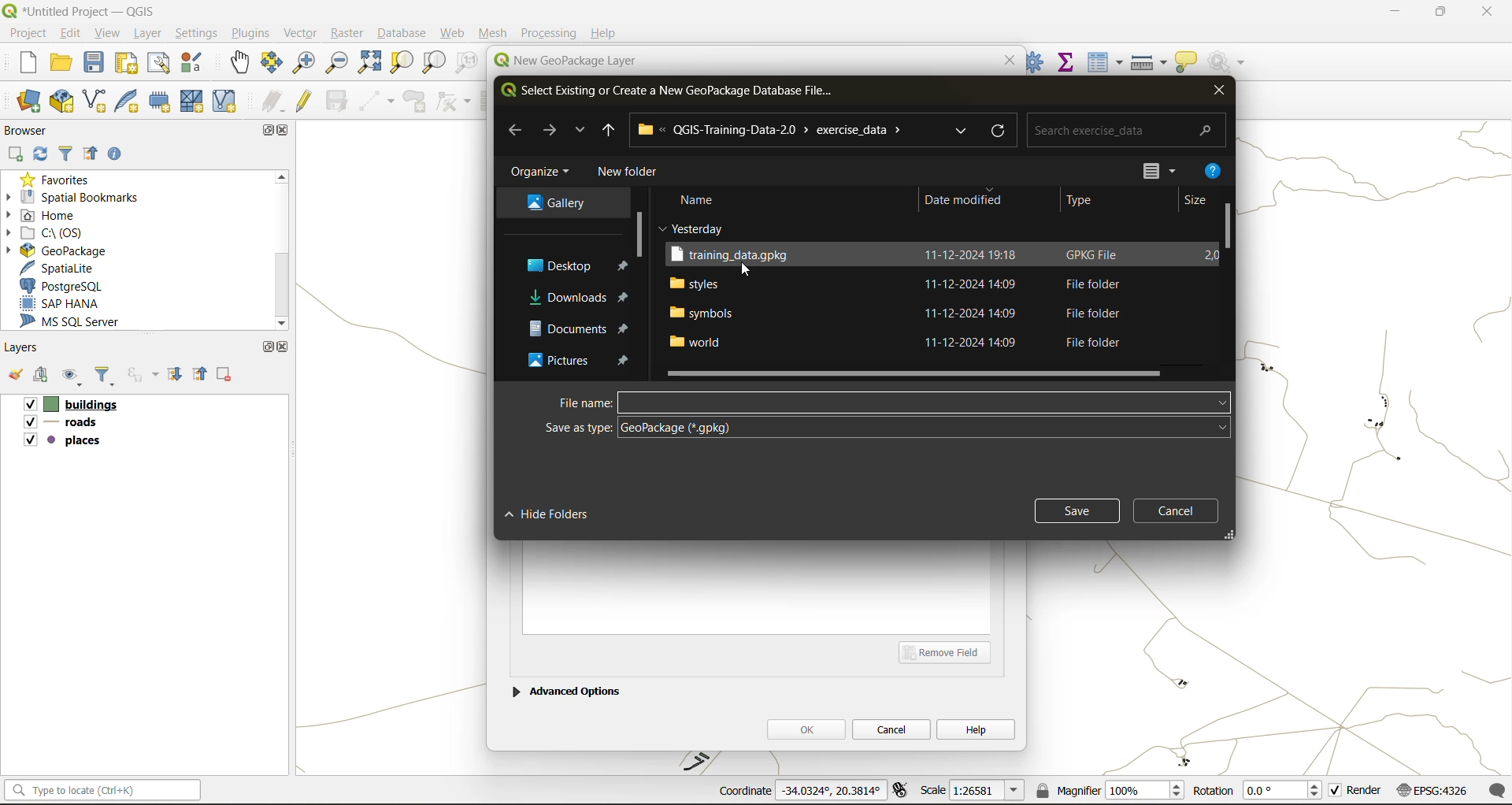  Describe the element at coordinates (454, 102) in the screenshot. I see `vertex tools` at that location.